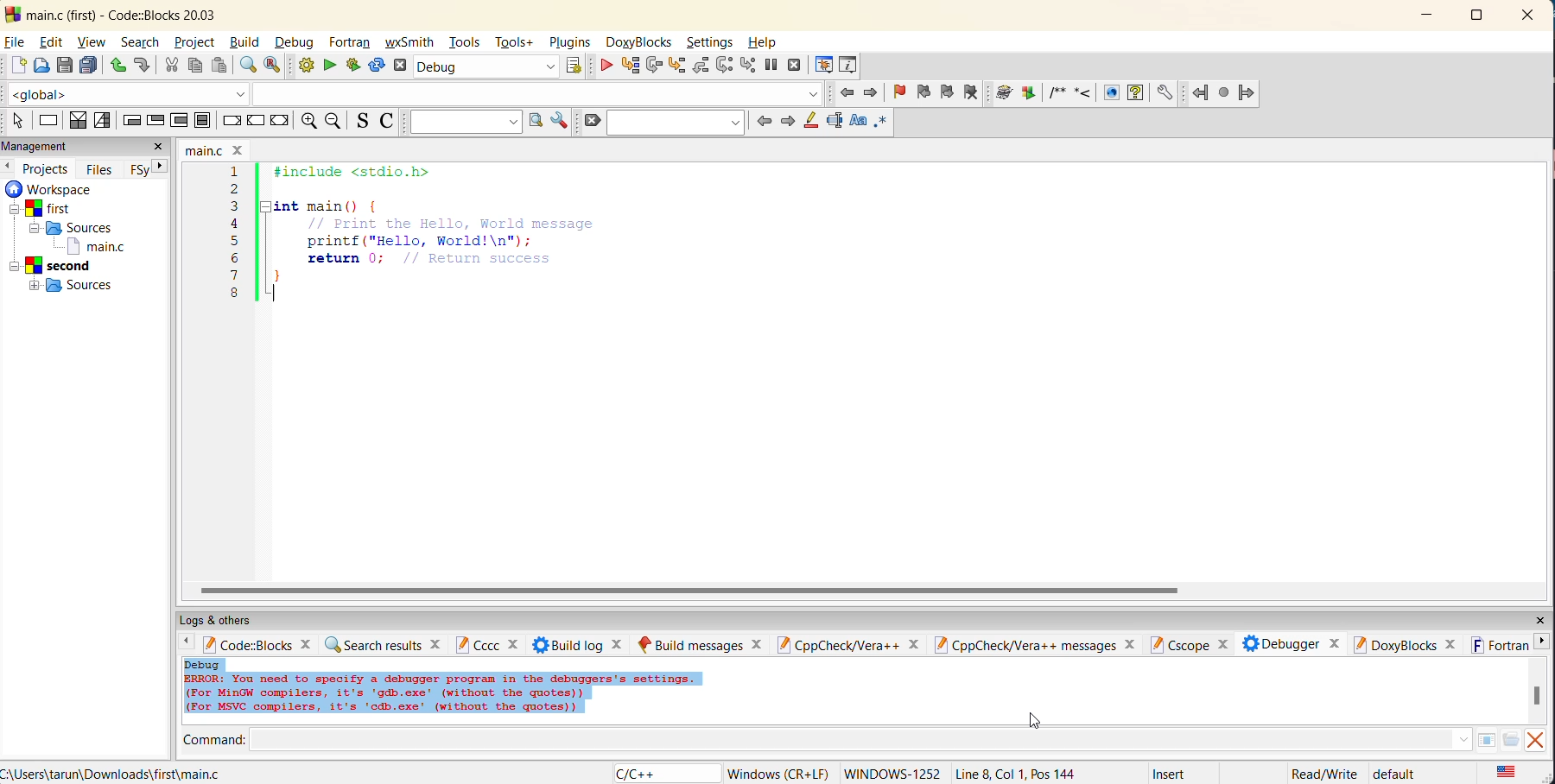 The width and height of the screenshot is (1555, 784). Describe the element at coordinates (1198, 93) in the screenshot. I see `Jump back` at that location.